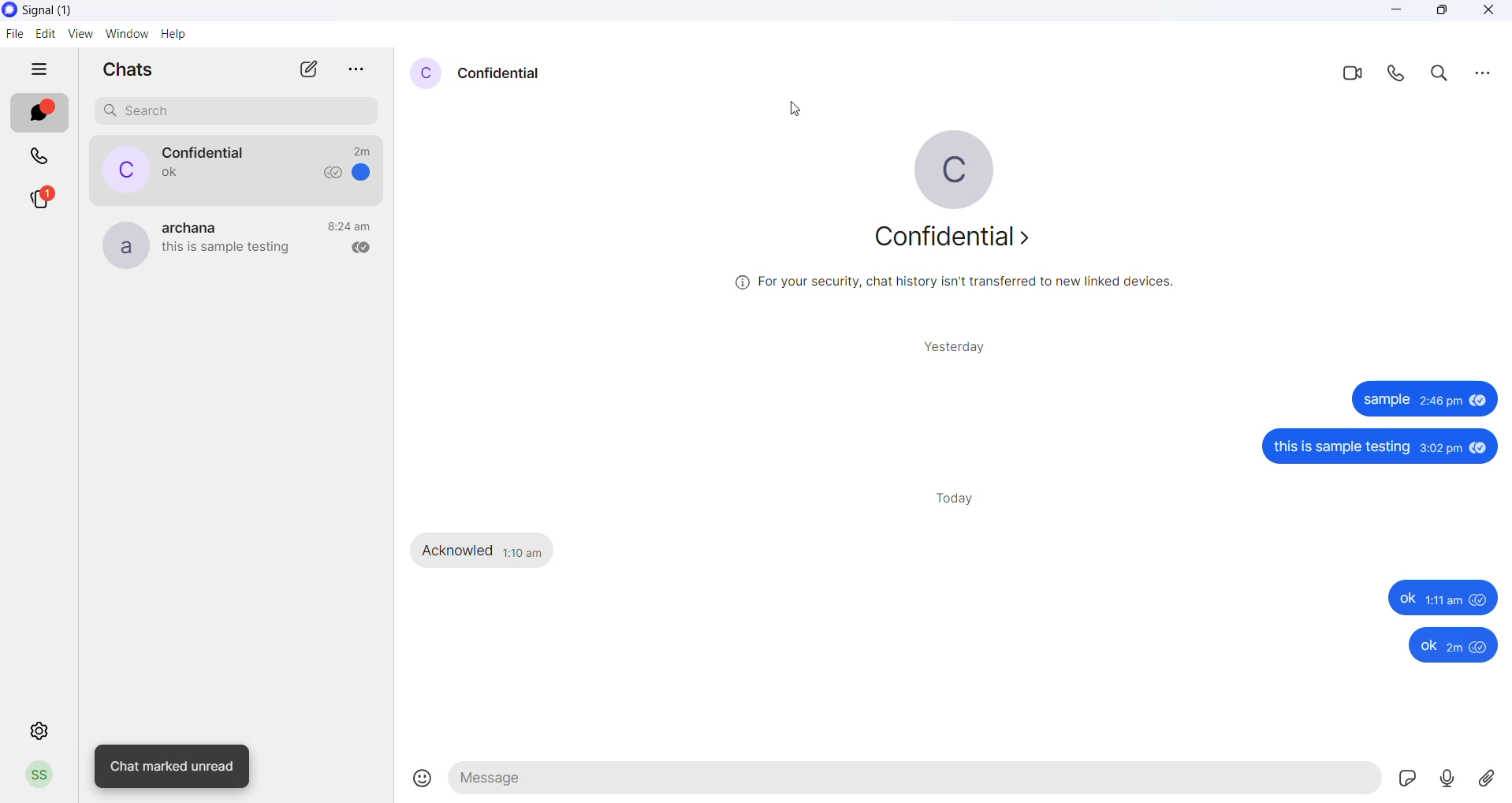  I want to click on profile picture, so click(427, 73).